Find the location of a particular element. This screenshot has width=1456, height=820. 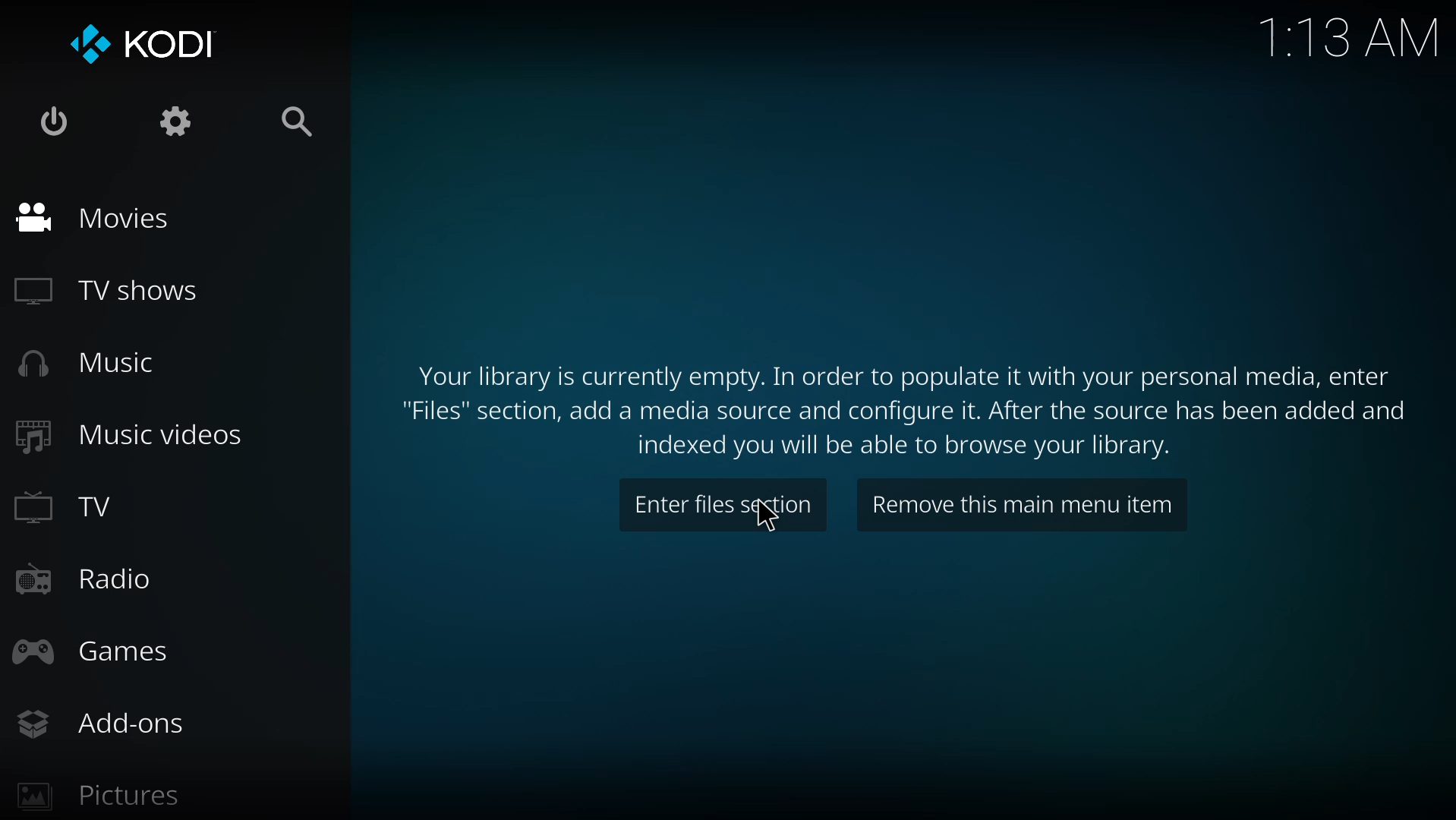

search is located at coordinates (296, 122).